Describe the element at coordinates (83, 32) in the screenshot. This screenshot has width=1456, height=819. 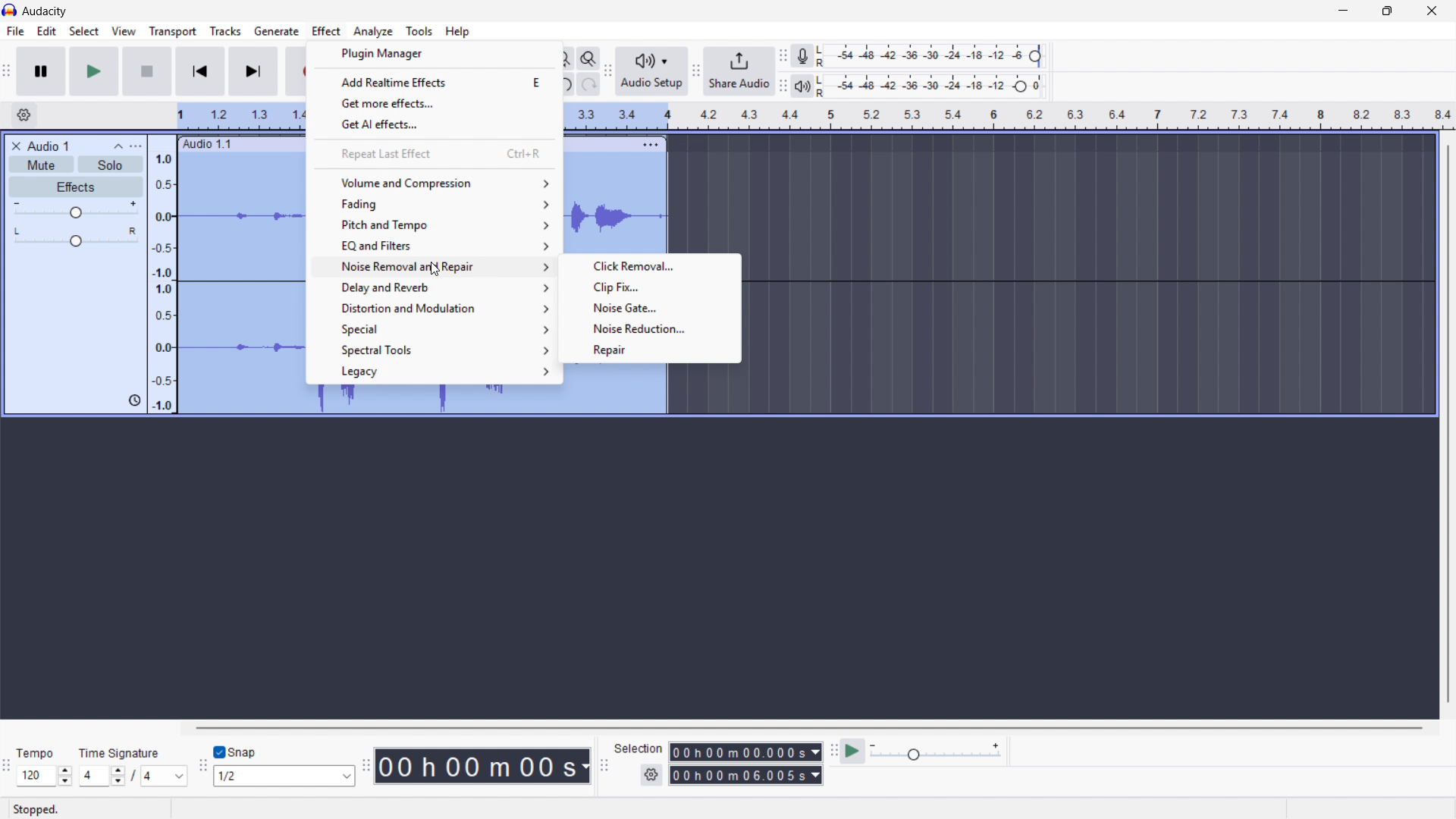
I see `Select ` at that location.